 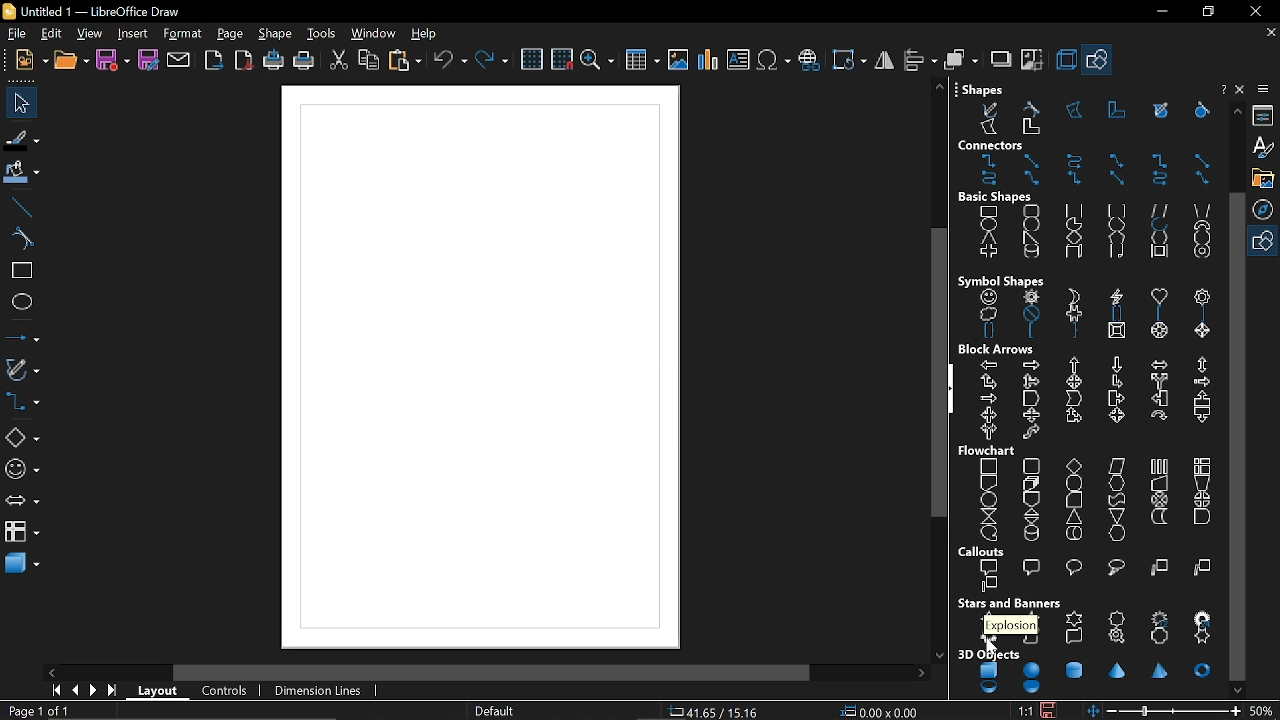 What do you see at coordinates (1088, 621) in the screenshot?
I see `star and boxes` at bounding box center [1088, 621].